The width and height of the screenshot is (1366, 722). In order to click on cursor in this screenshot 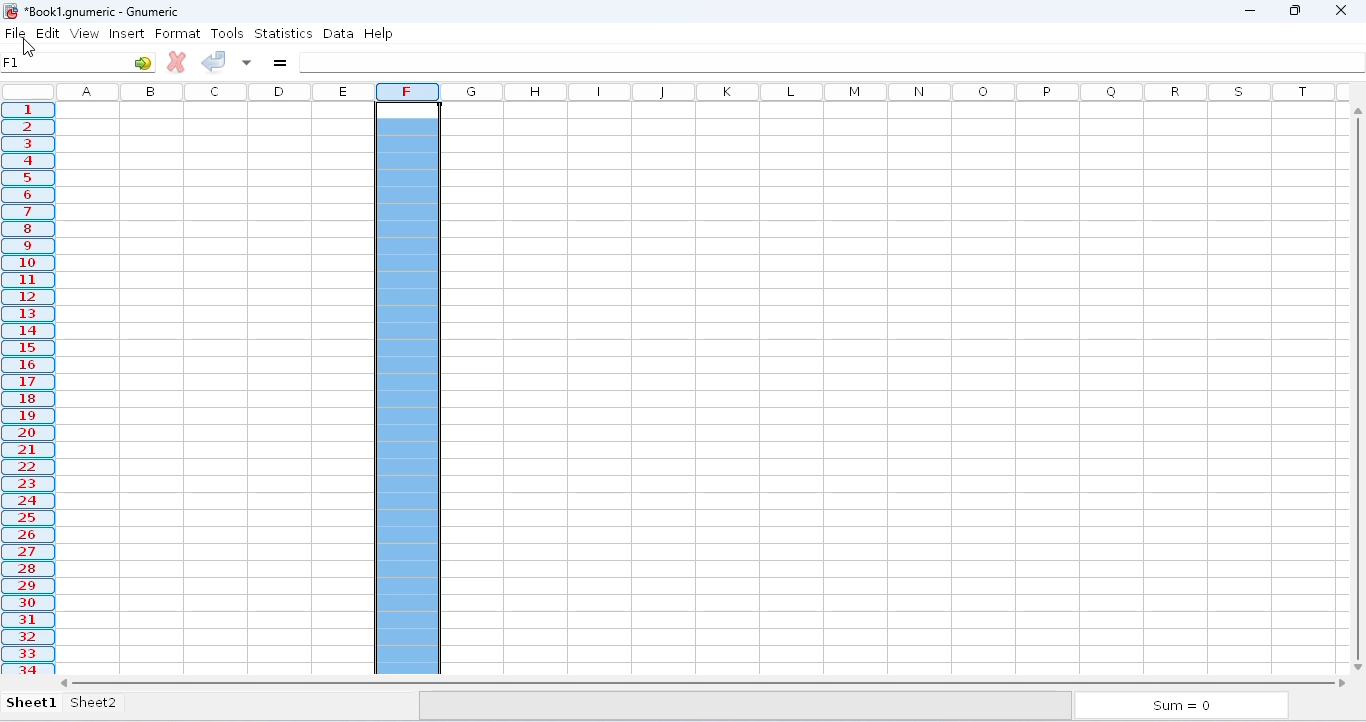, I will do `click(28, 48)`.